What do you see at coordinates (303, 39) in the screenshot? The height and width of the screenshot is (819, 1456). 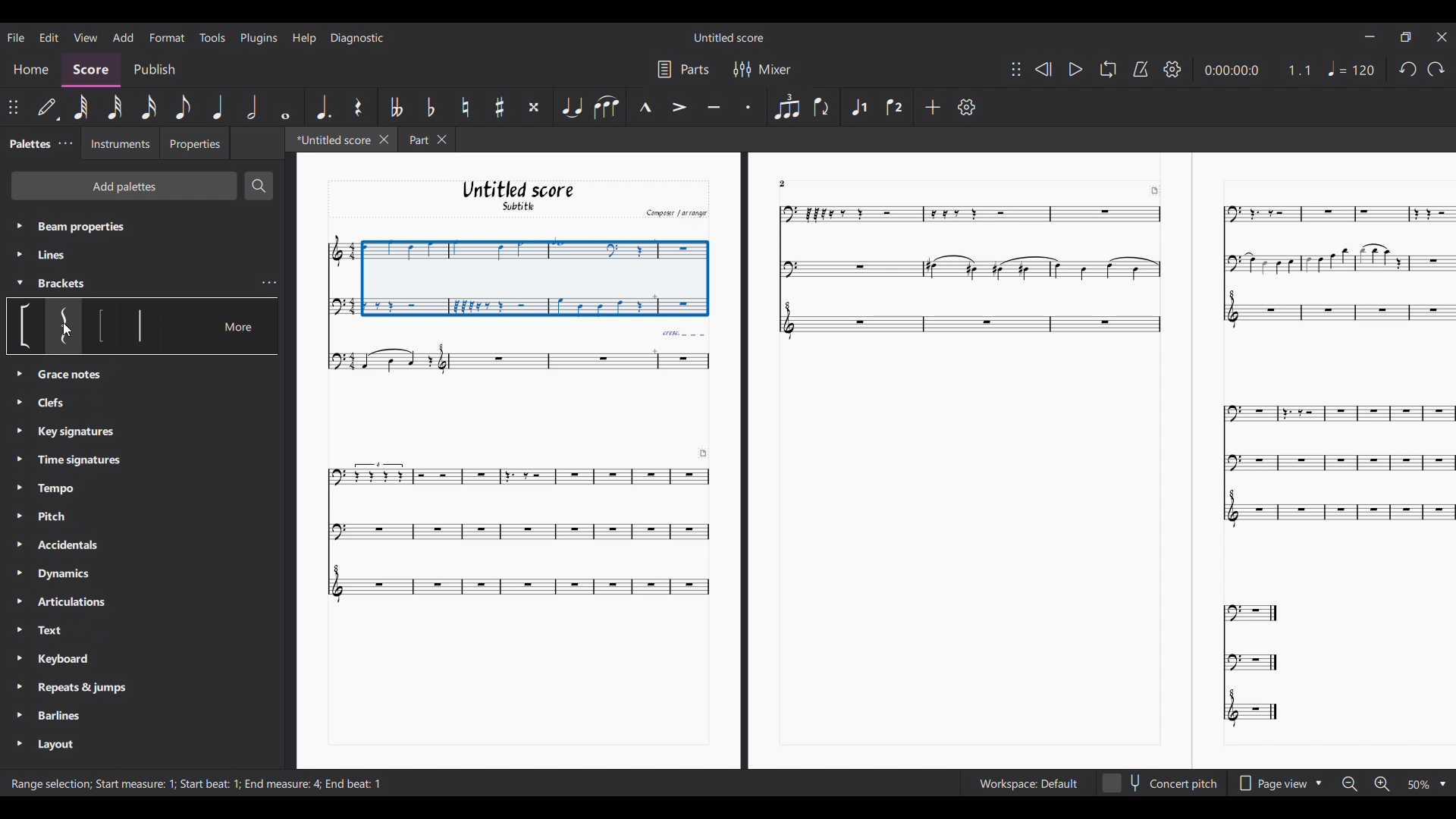 I see `Help` at bounding box center [303, 39].